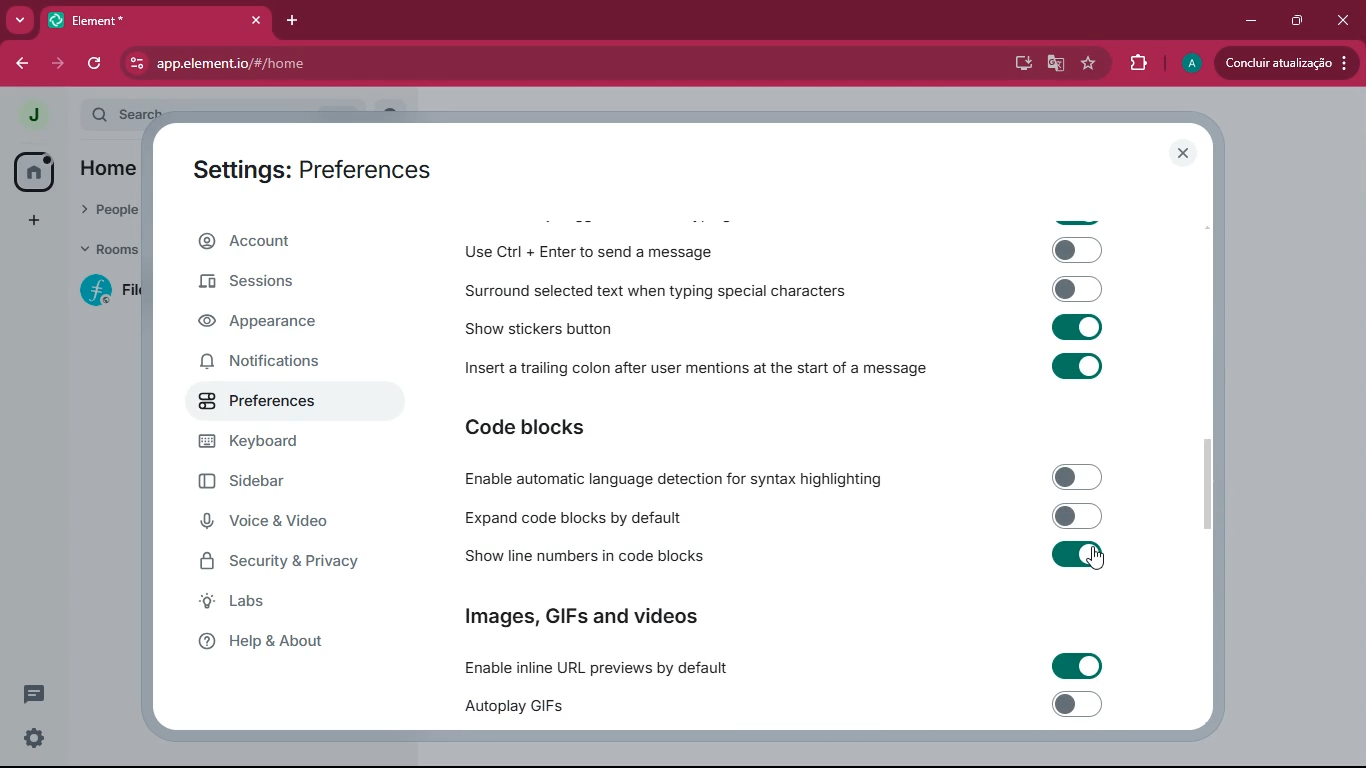 This screenshot has height=768, width=1366. I want to click on notifications, so click(276, 363).